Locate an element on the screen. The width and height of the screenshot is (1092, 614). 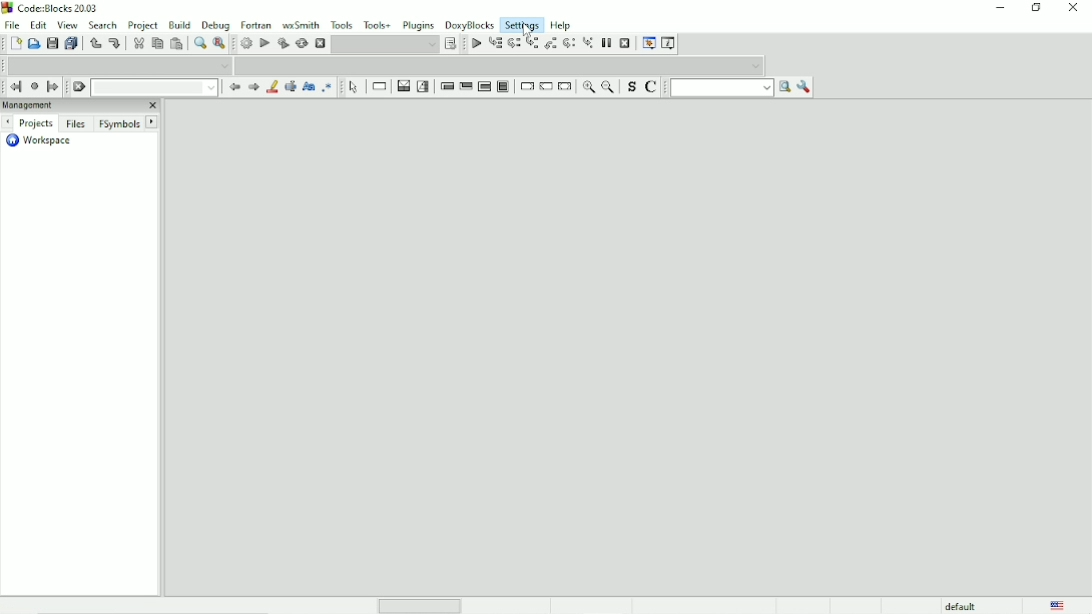
Cut is located at coordinates (138, 44).